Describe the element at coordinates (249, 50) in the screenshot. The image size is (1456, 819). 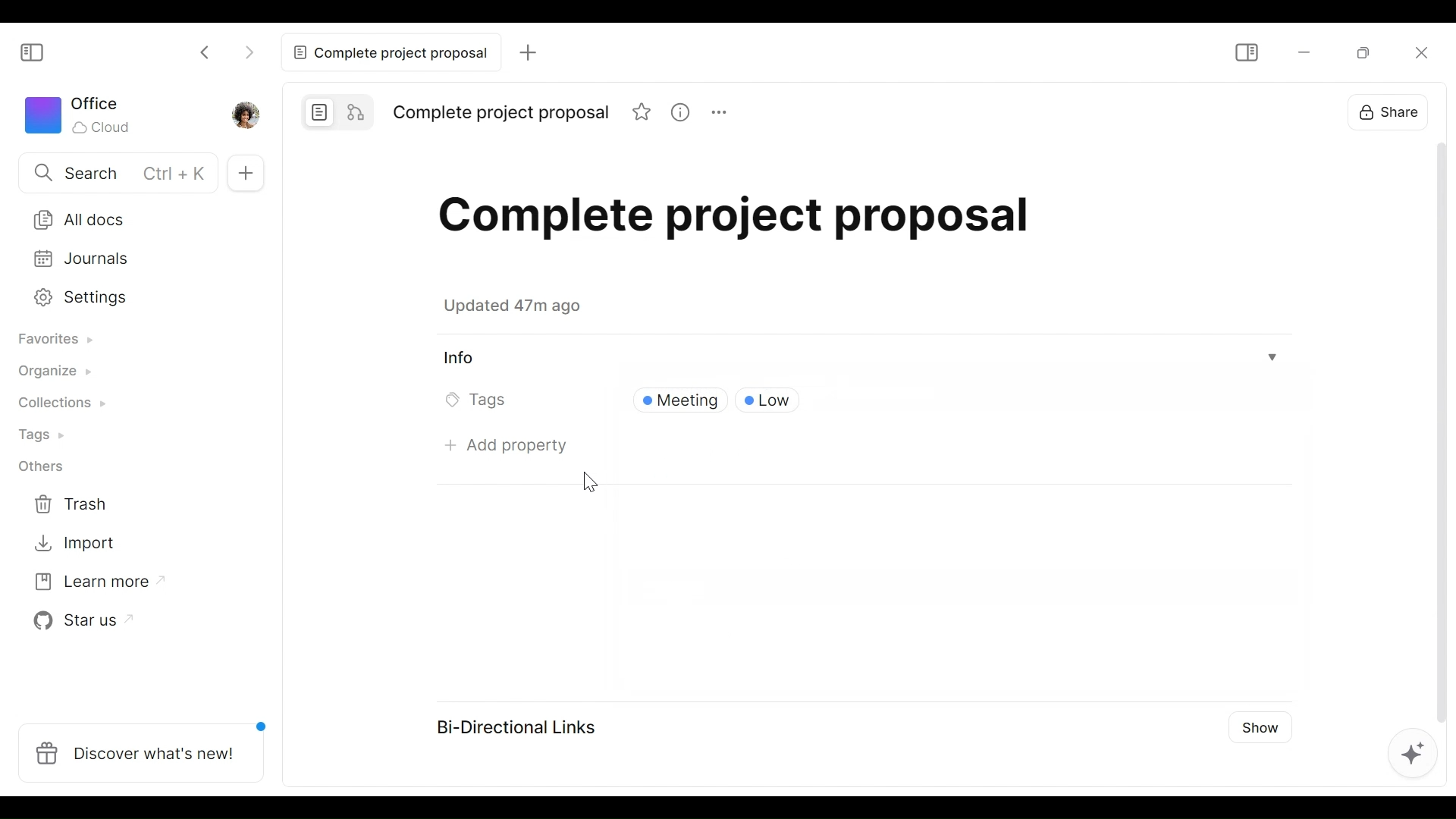
I see `Click to go forward` at that location.